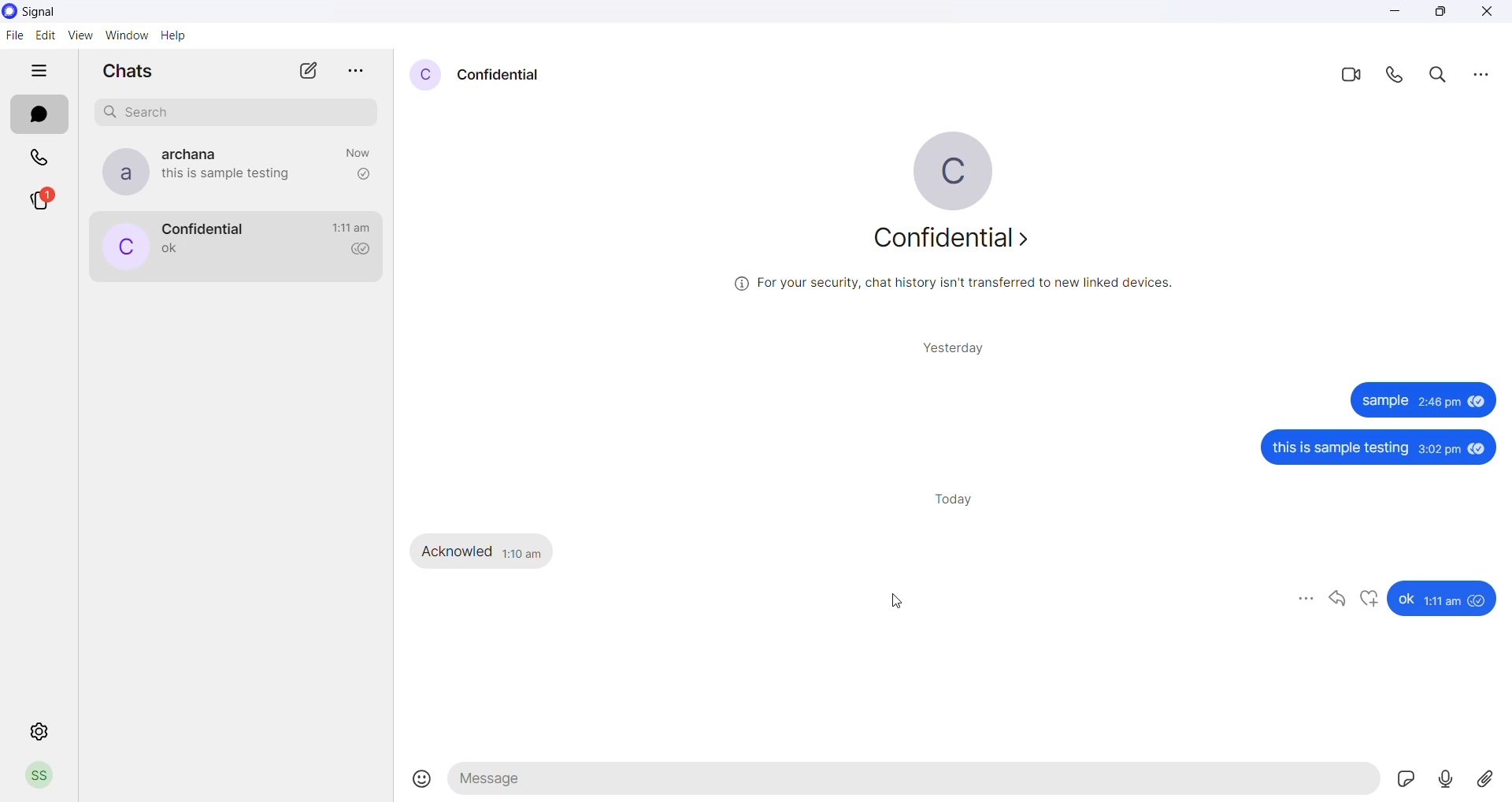  I want to click on profile picture, so click(120, 172).